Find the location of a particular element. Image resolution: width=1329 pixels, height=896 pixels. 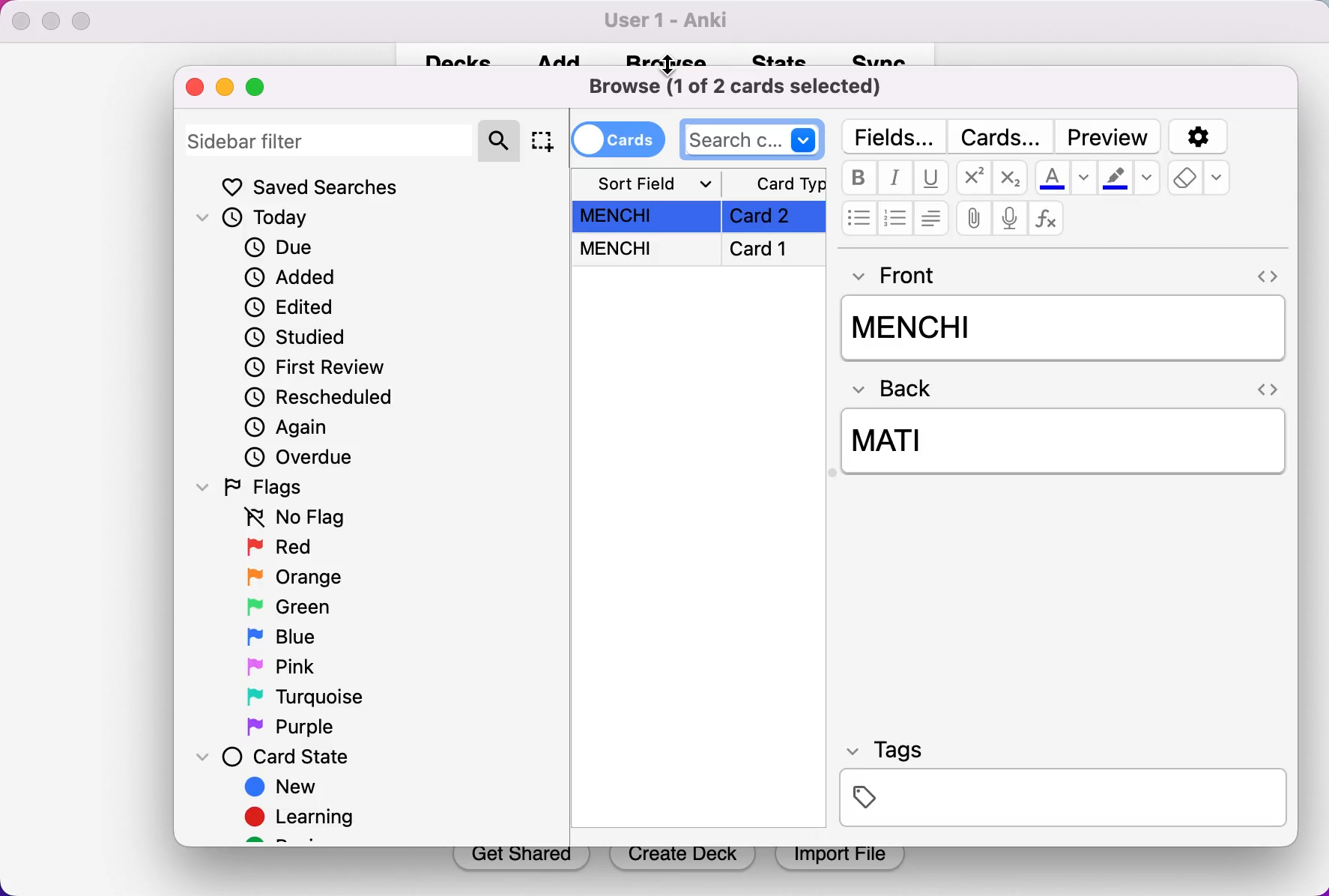

go back or go next is located at coordinates (1265, 273).